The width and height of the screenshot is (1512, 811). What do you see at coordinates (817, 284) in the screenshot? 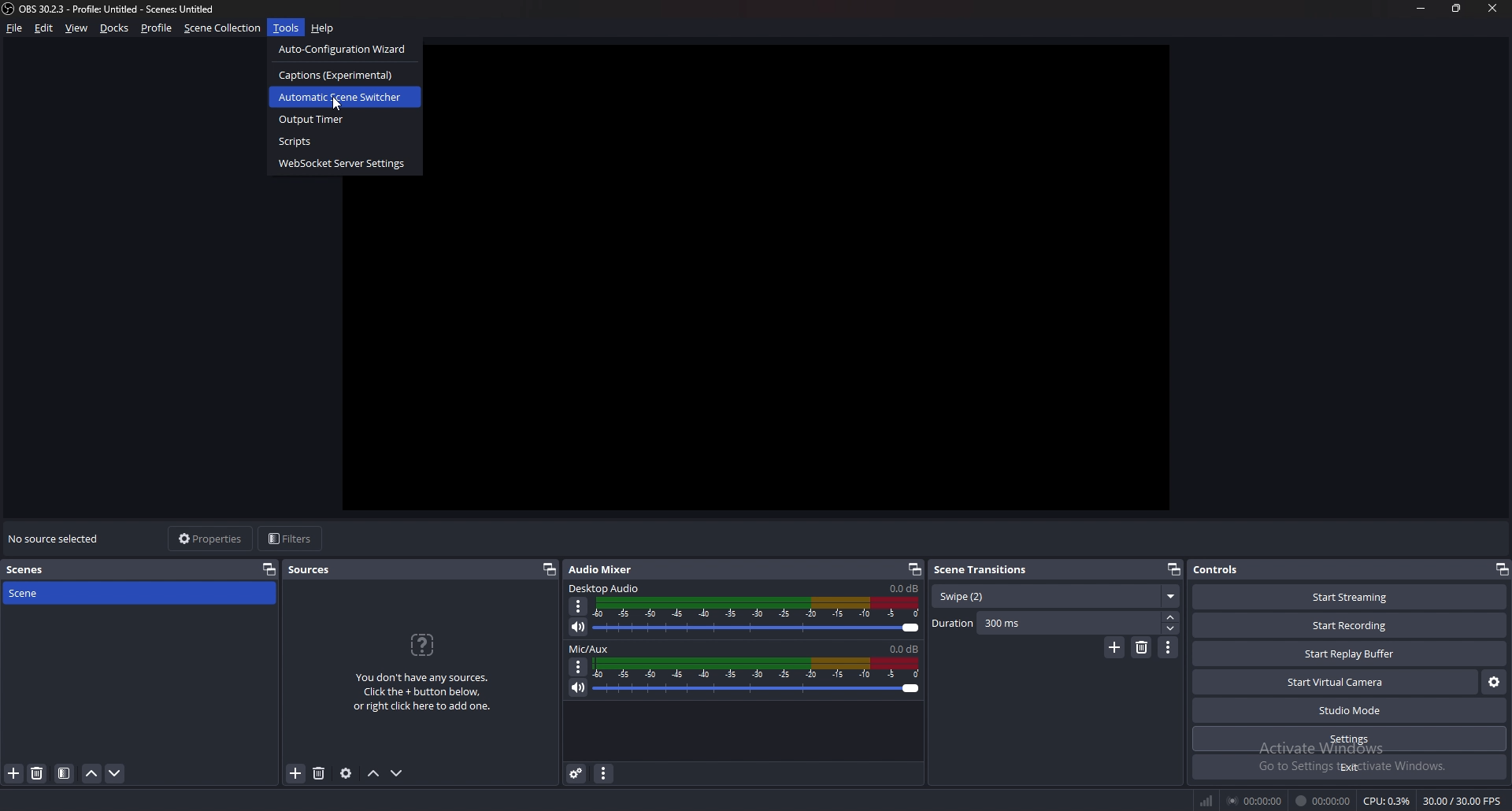
I see `canvas` at bounding box center [817, 284].